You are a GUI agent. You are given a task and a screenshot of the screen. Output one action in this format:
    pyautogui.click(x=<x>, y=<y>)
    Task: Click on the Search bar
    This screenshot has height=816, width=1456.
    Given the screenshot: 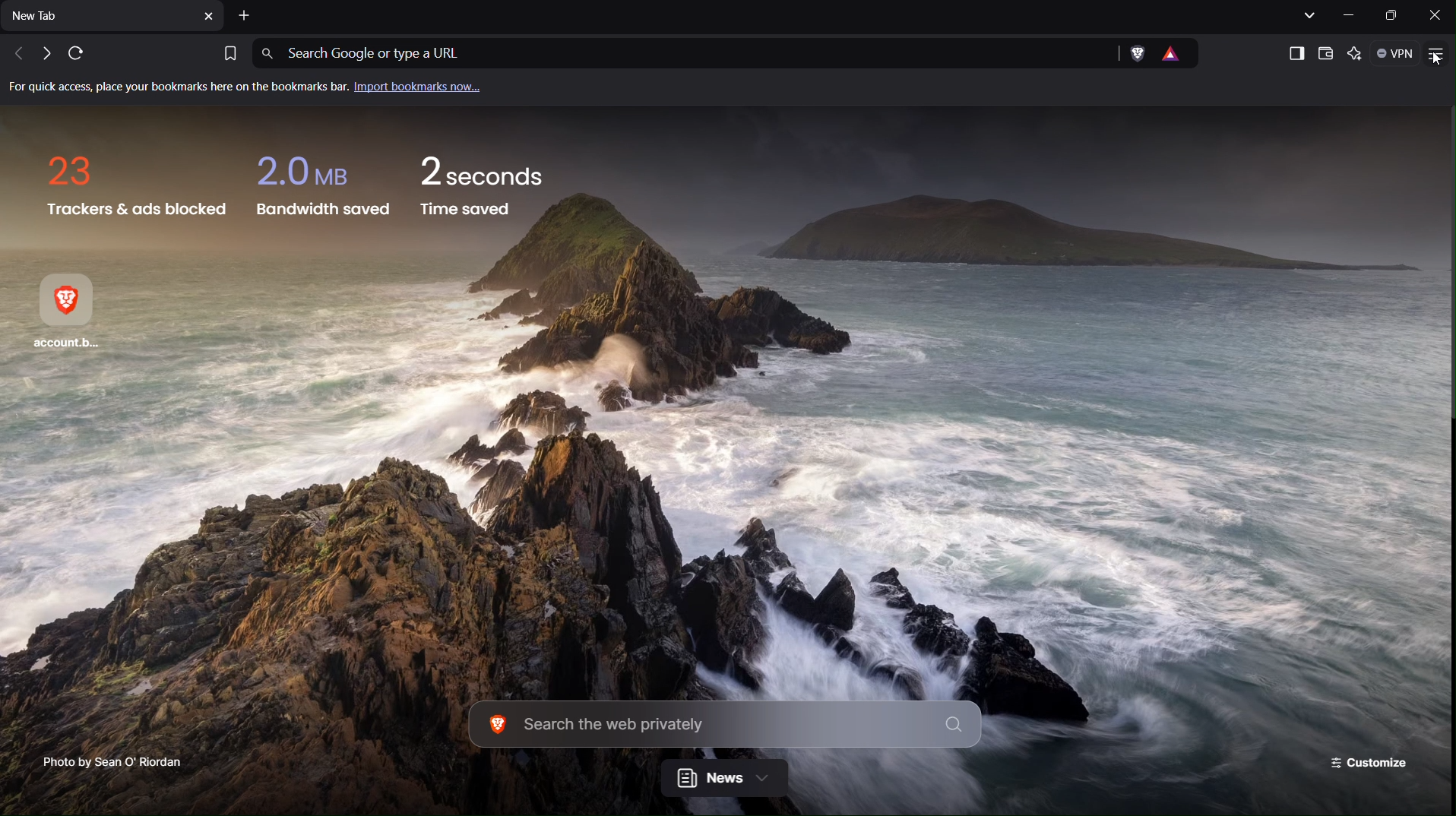 What is the action you would take?
    pyautogui.click(x=725, y=726)
    